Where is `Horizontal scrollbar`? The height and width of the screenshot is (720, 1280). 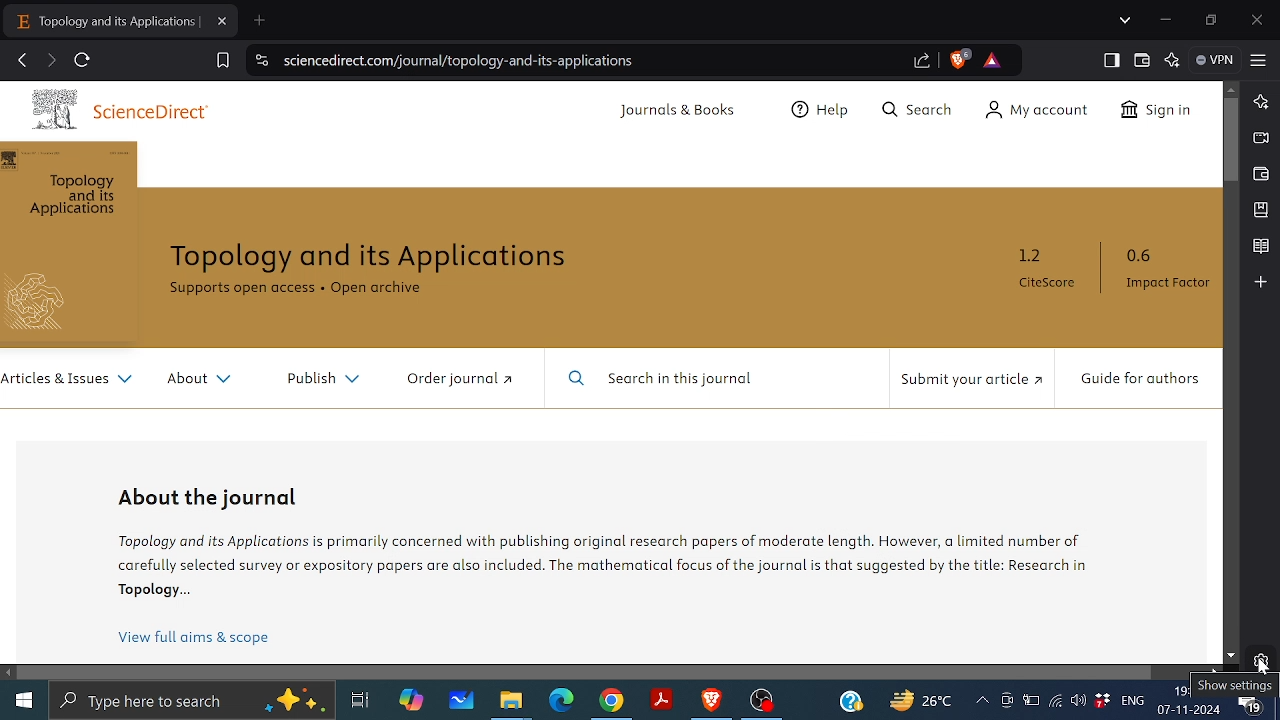
Horizontal scrollbar is located at coordinates (585, 671).